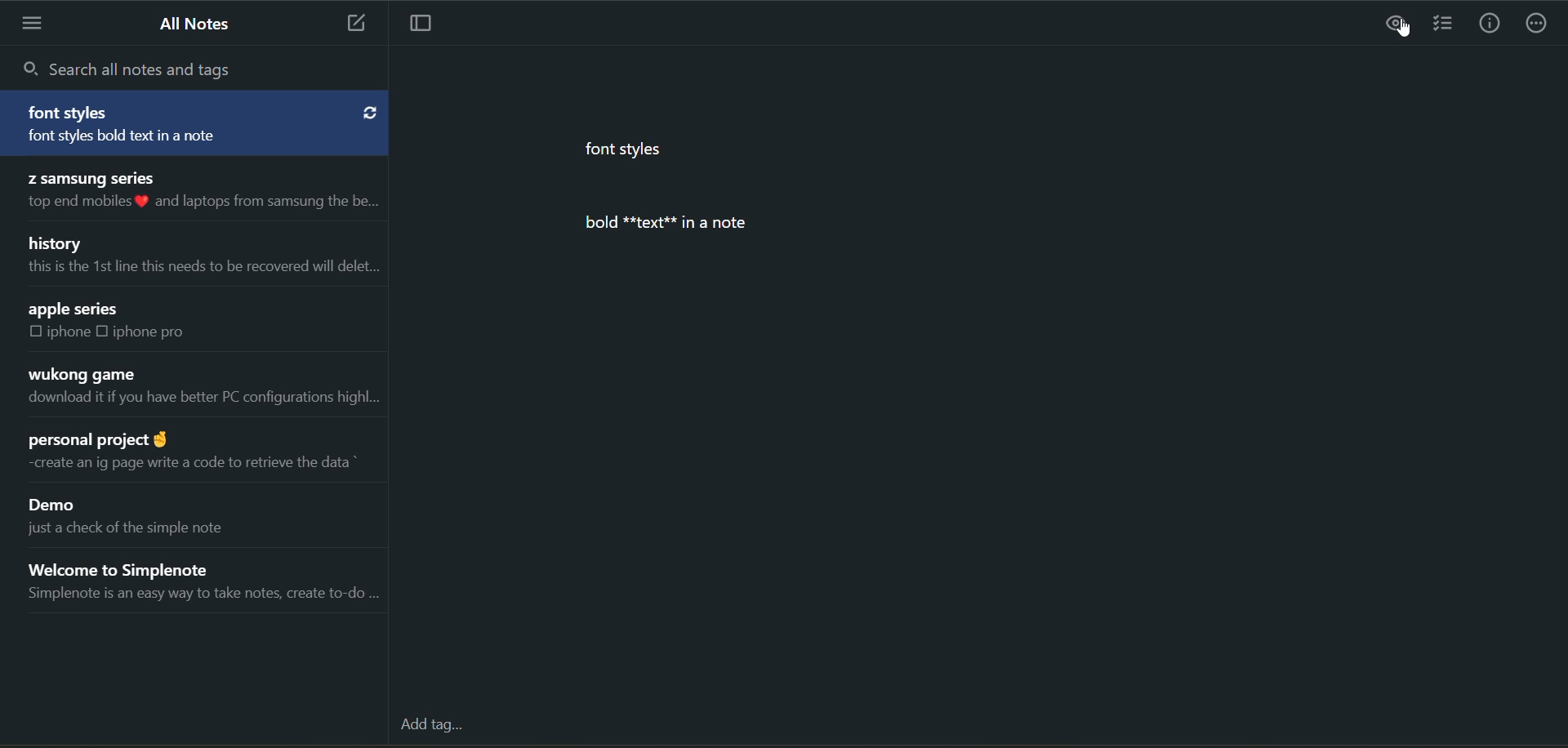 Image resolution: width=1568 pixels, height=748 pixels. I want to click on font styles, so click(72, 113).